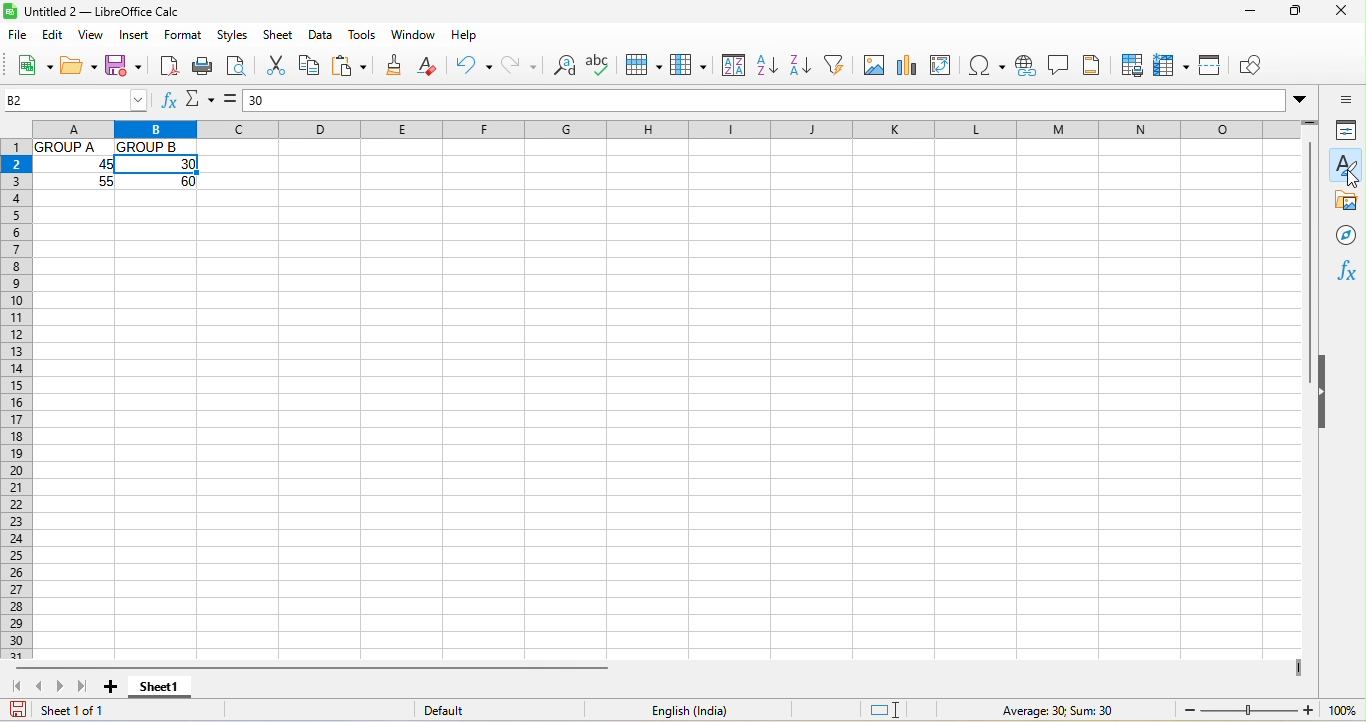 Image resolution: width=1366 pixels, height=722 pixels. What do you see at coordinates (231, 37) in the screenshot?
I see `styles` at bounding box center [231, 37].